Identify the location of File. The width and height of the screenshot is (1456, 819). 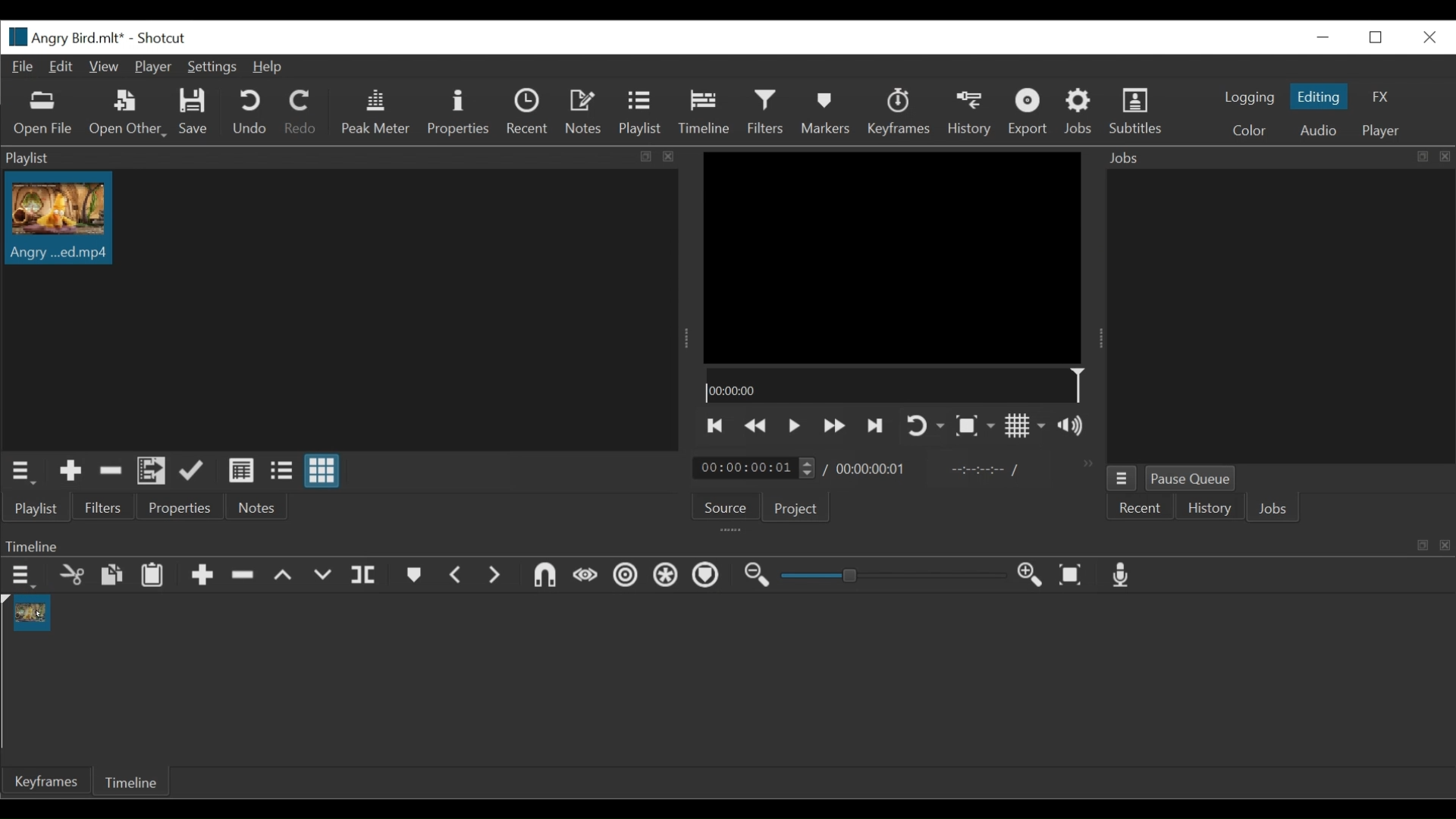
(22, 69).